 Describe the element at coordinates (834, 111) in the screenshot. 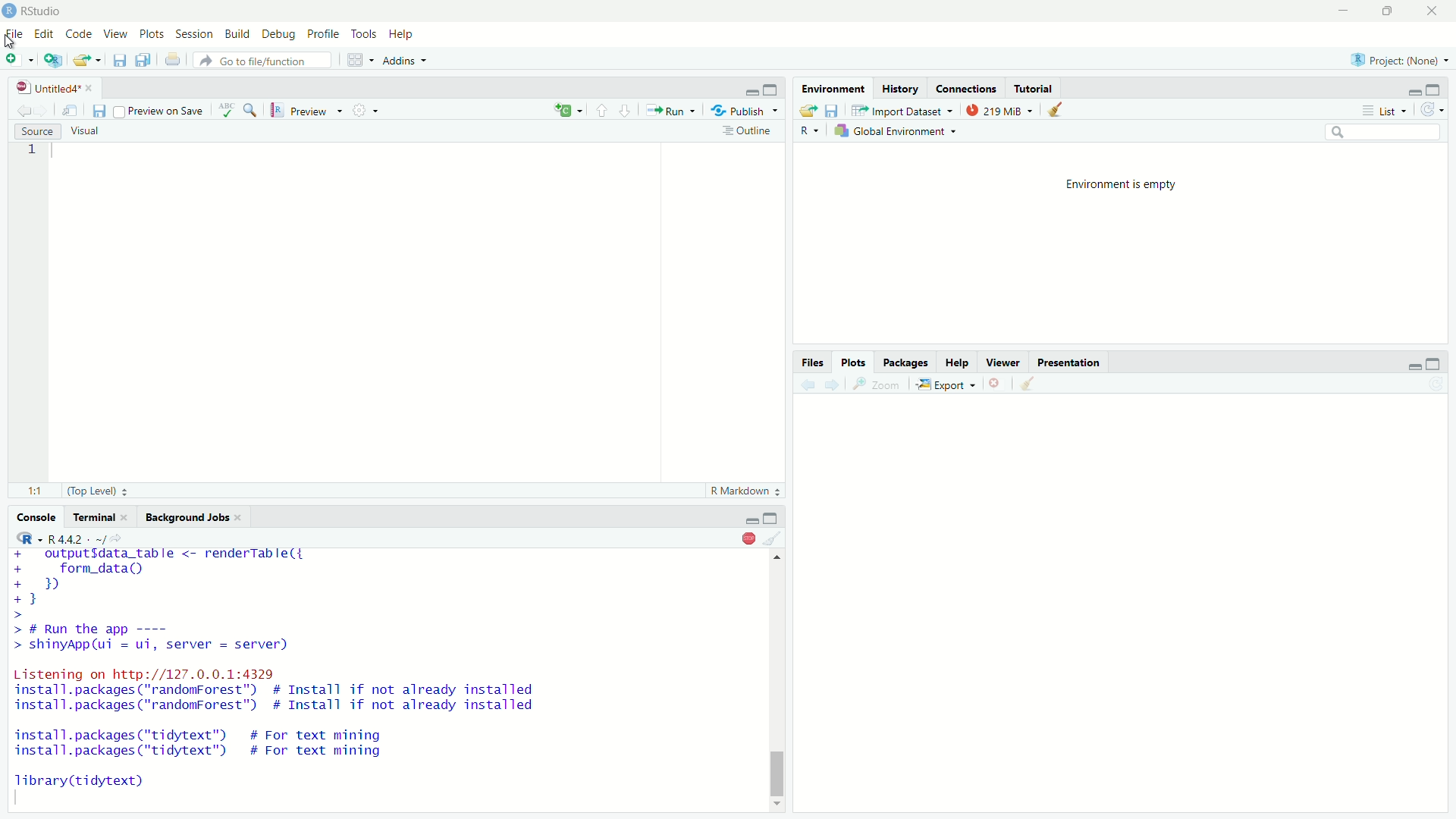

I see `save workspace as` at that location.